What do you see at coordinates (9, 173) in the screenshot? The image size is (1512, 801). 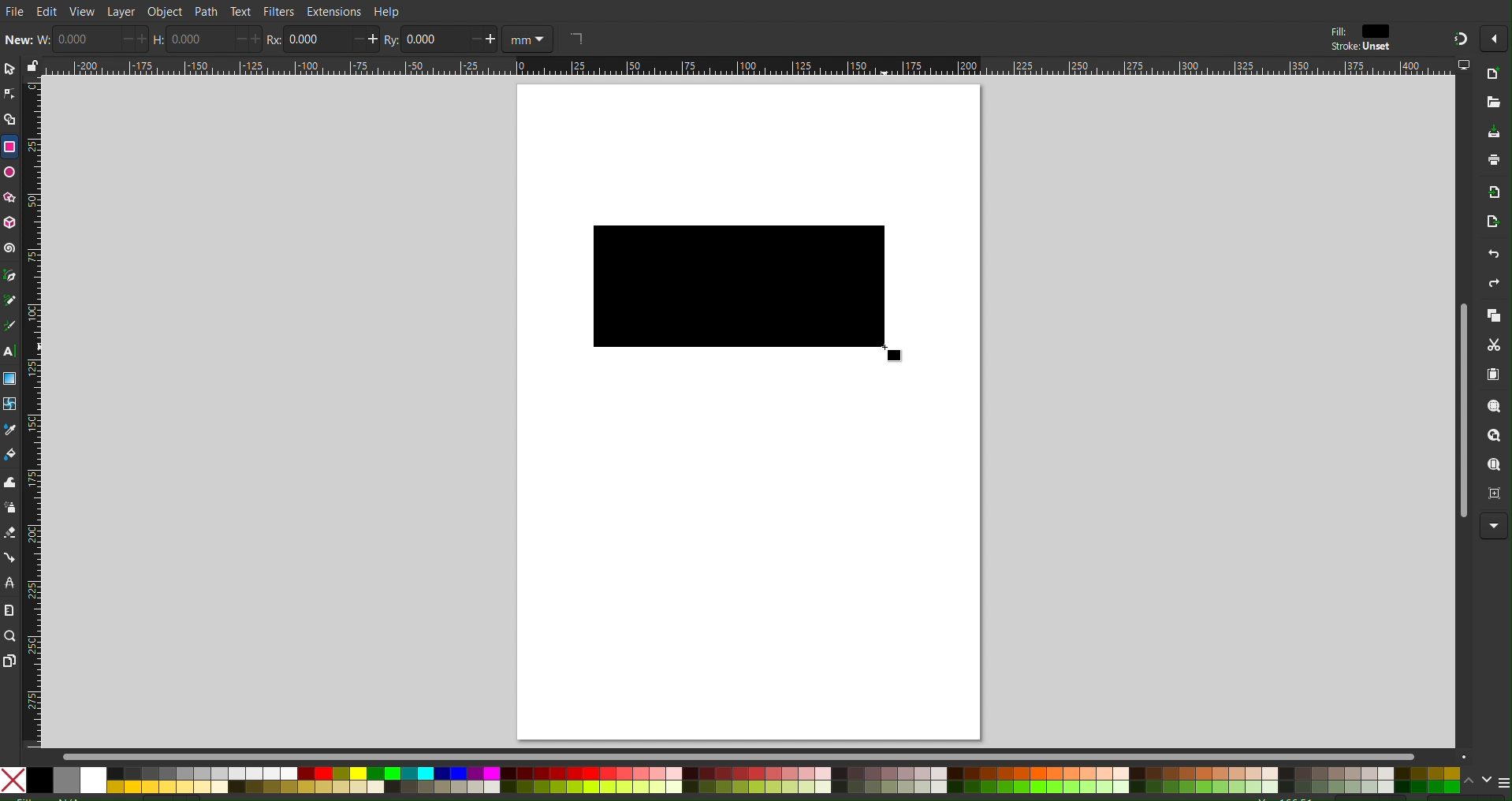 I see `Ellipse` at bounding box center [9, 173].